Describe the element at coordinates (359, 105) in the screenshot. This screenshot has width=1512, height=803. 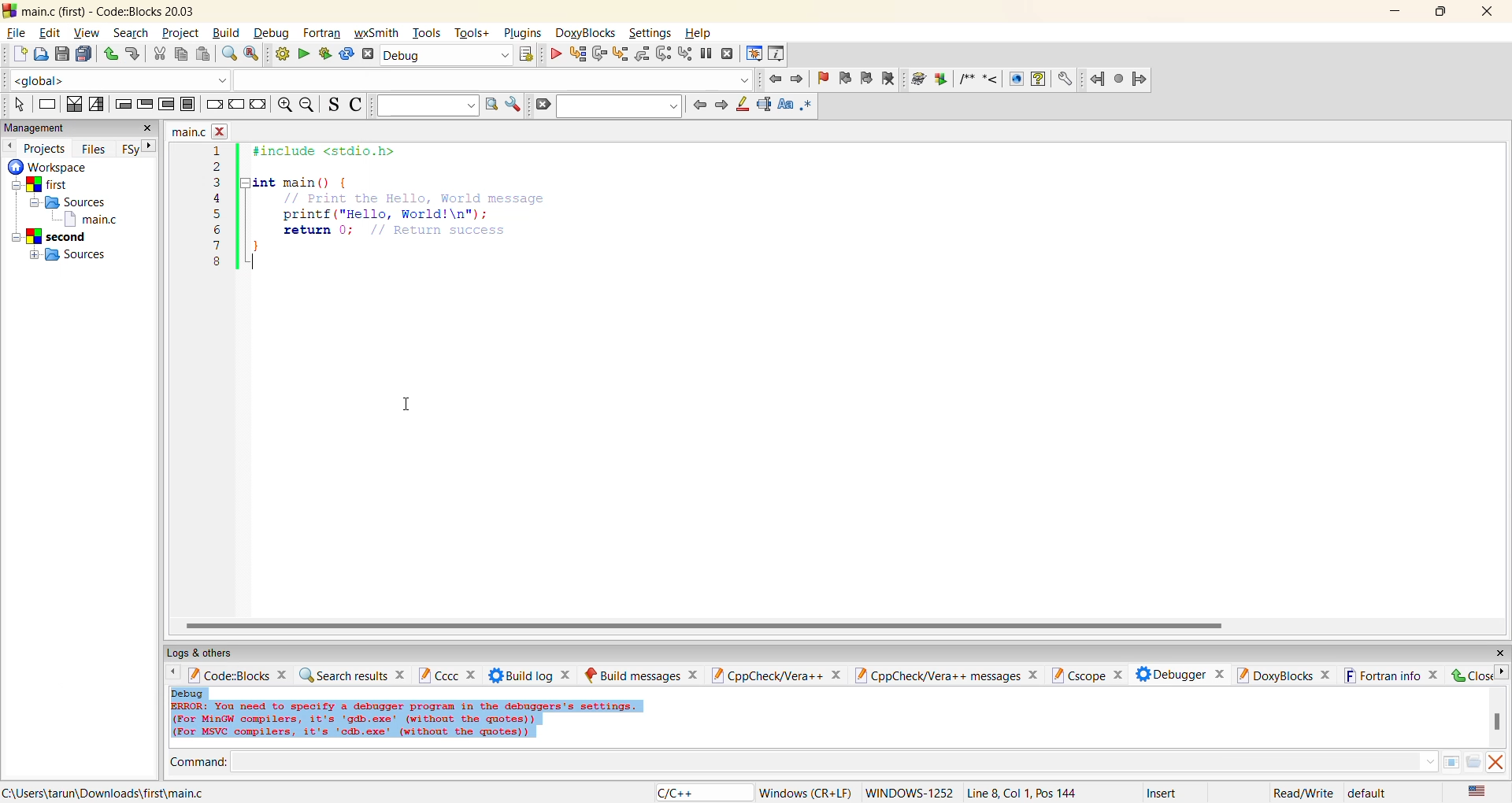
I see `toggle comments` at that location.